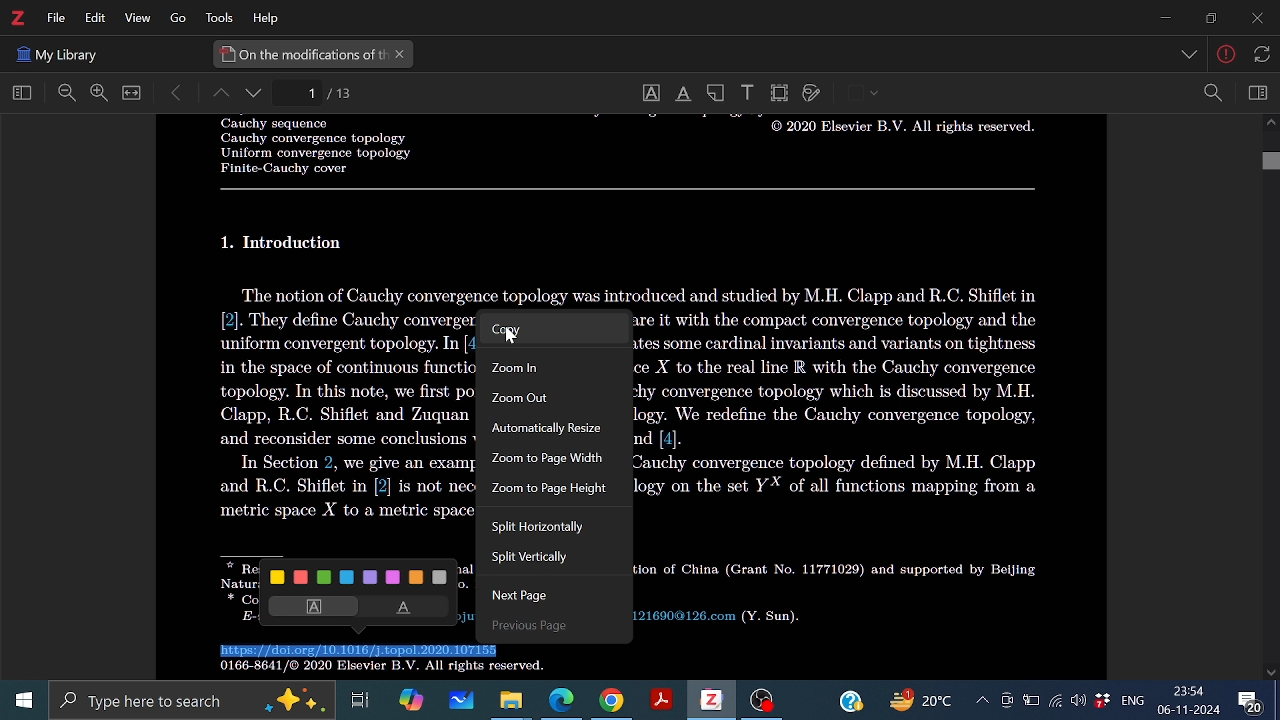 This screenshot has width=1280, height=720. I want to click on Google chorme, so click(610, 701).